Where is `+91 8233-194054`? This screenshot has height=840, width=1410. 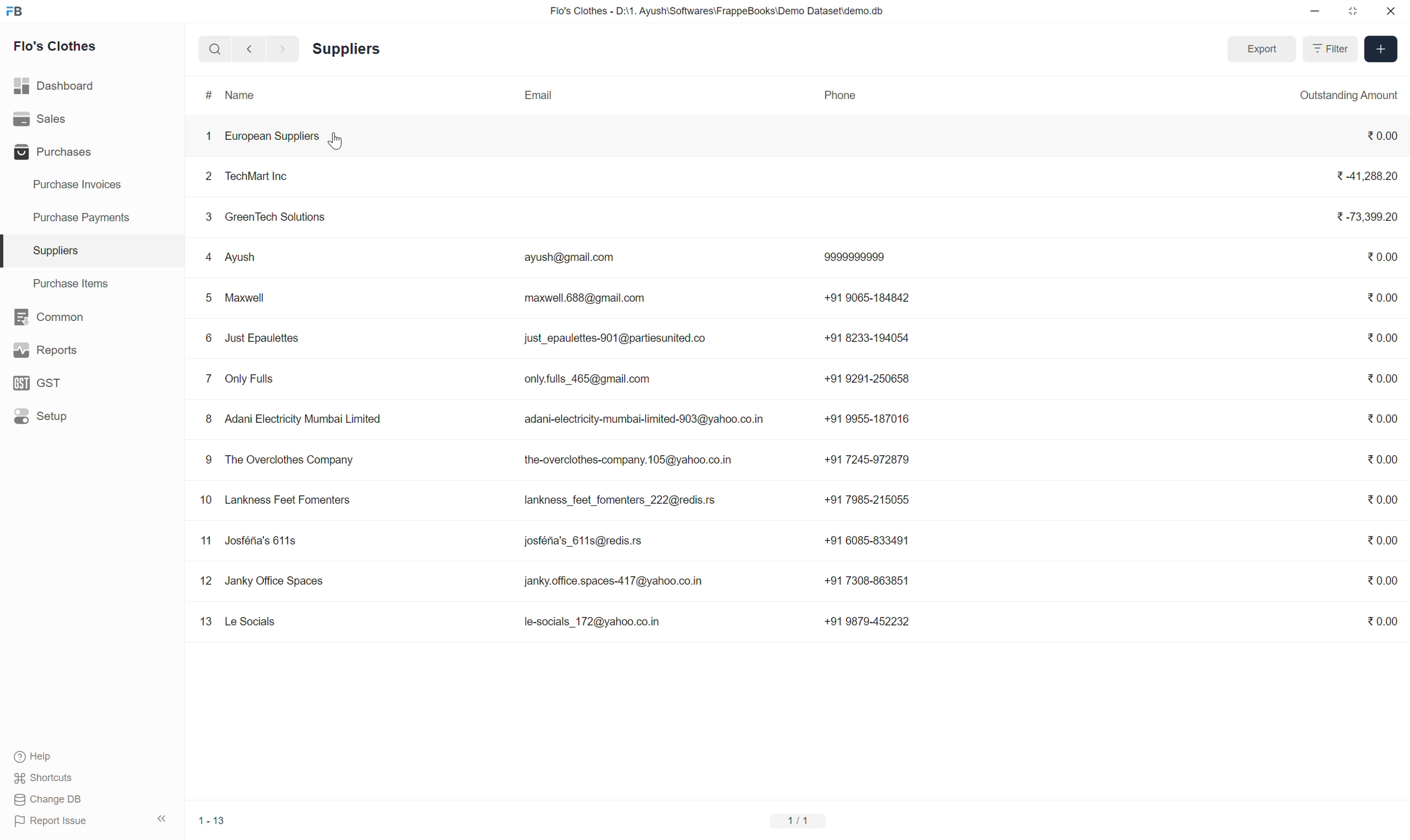
+91 8233-194054 is located at coordinates (854, 340).